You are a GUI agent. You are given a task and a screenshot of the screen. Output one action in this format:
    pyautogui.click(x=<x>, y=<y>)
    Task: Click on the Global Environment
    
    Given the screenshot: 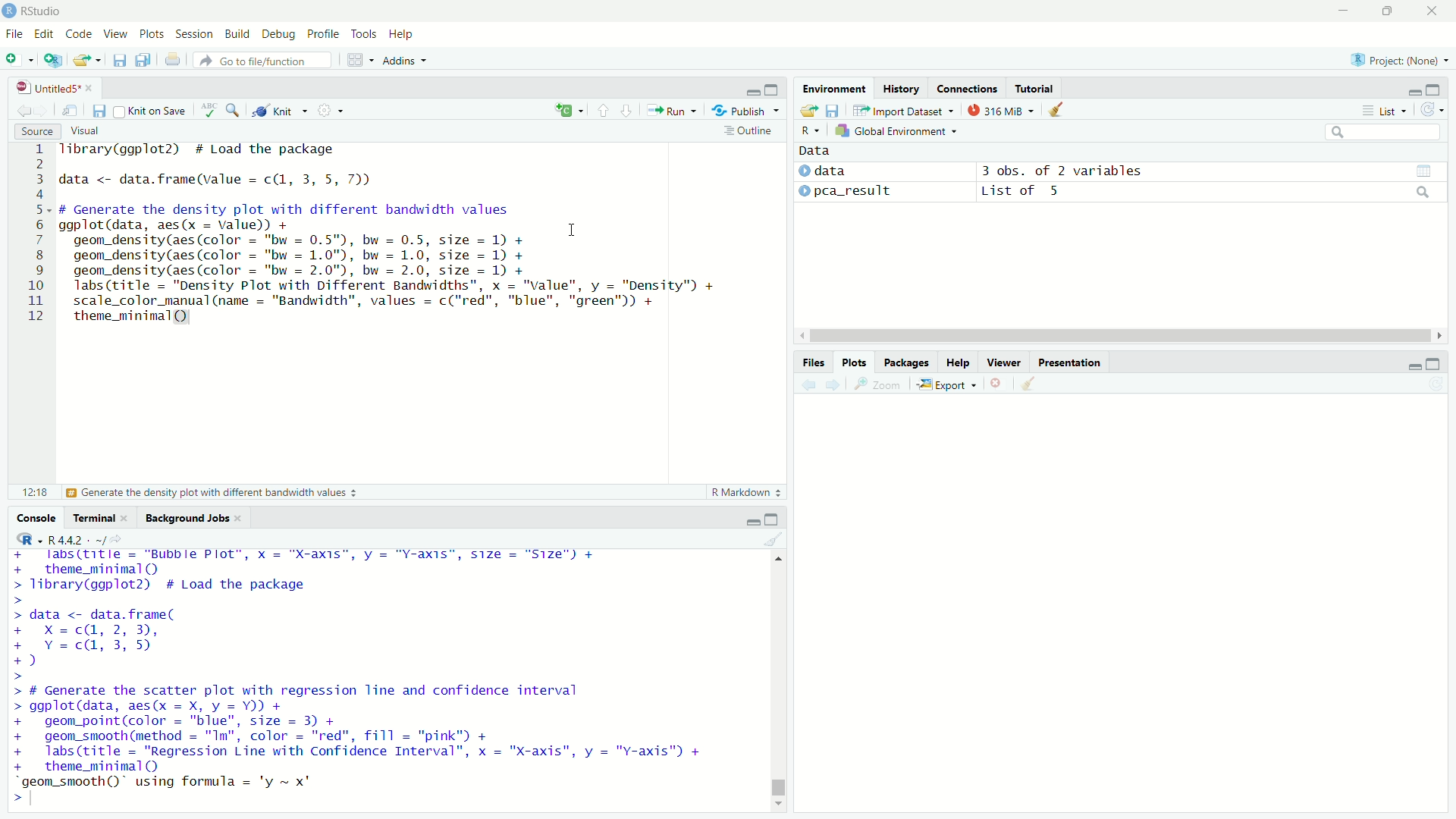 What is the action you would take?
    pyautogui.click(x=897, y=130)
    